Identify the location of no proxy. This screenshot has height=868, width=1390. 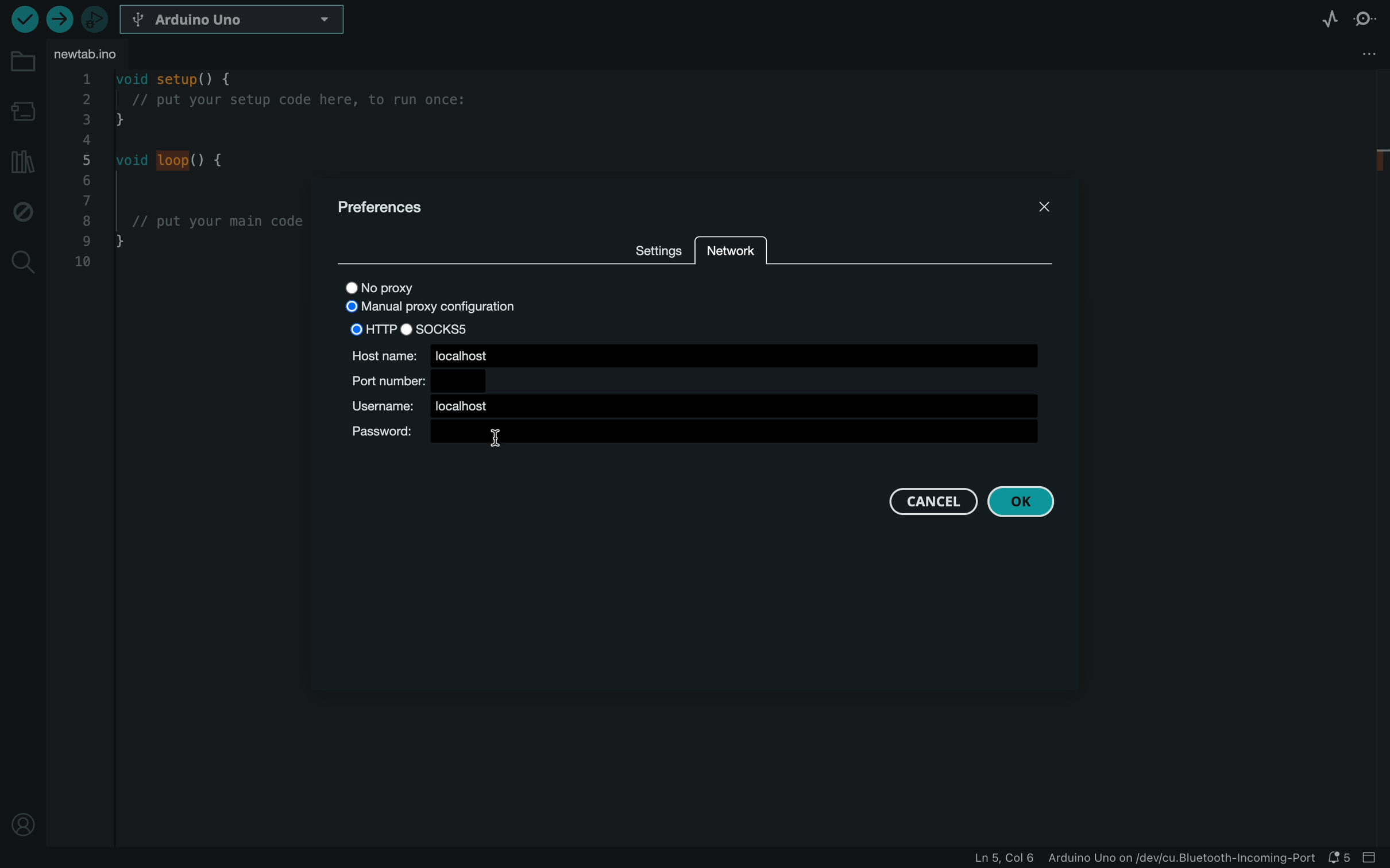
(410, 286).